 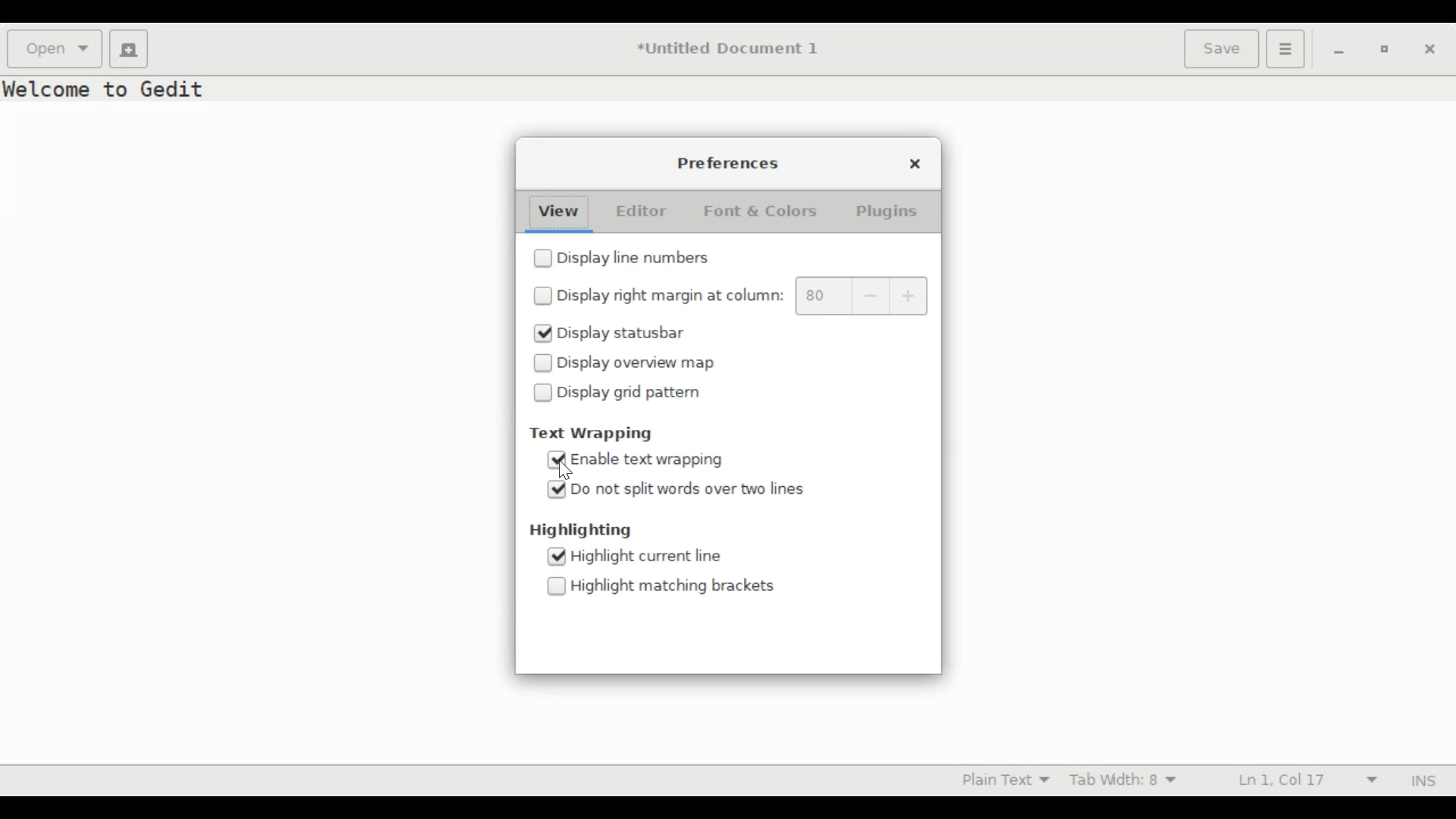 I want to click on Line & Column Preference, so click(x=1307, y=780).